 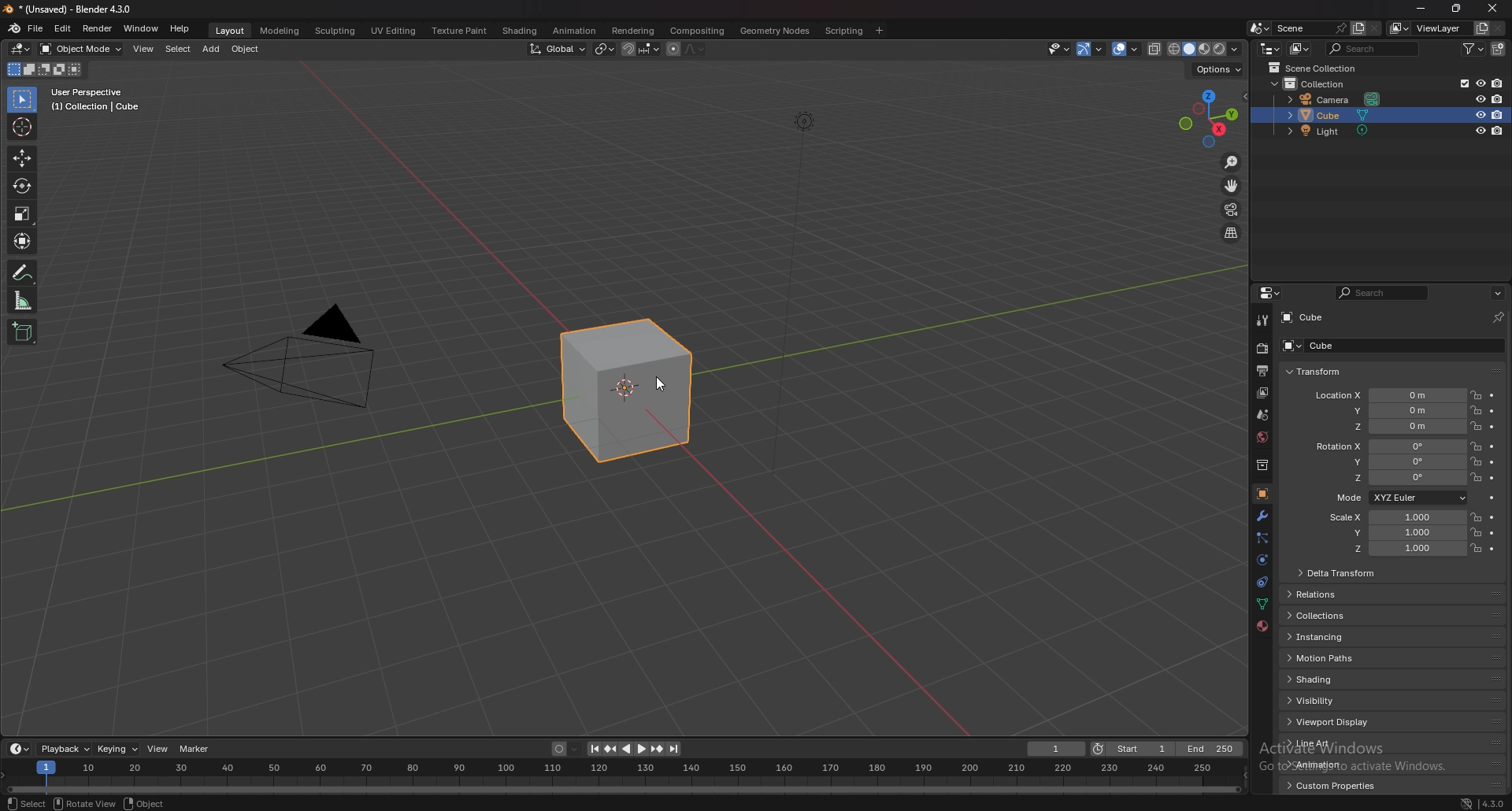 I want to click on current frame, so click(x=1054, y=749).